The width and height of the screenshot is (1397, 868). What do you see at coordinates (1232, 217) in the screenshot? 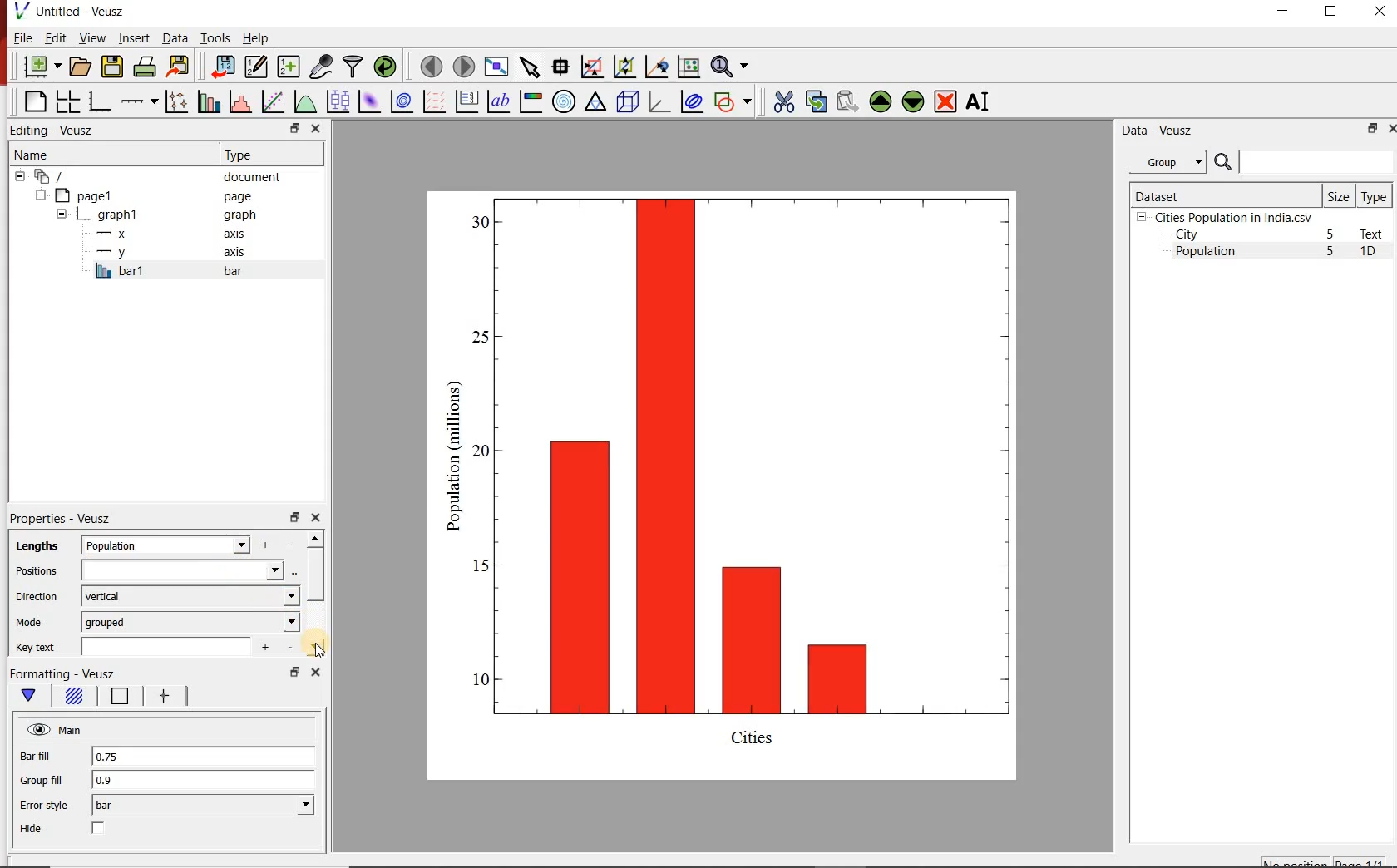
I see `Cities Population in India.csv` at bounding box center [1232, 217].